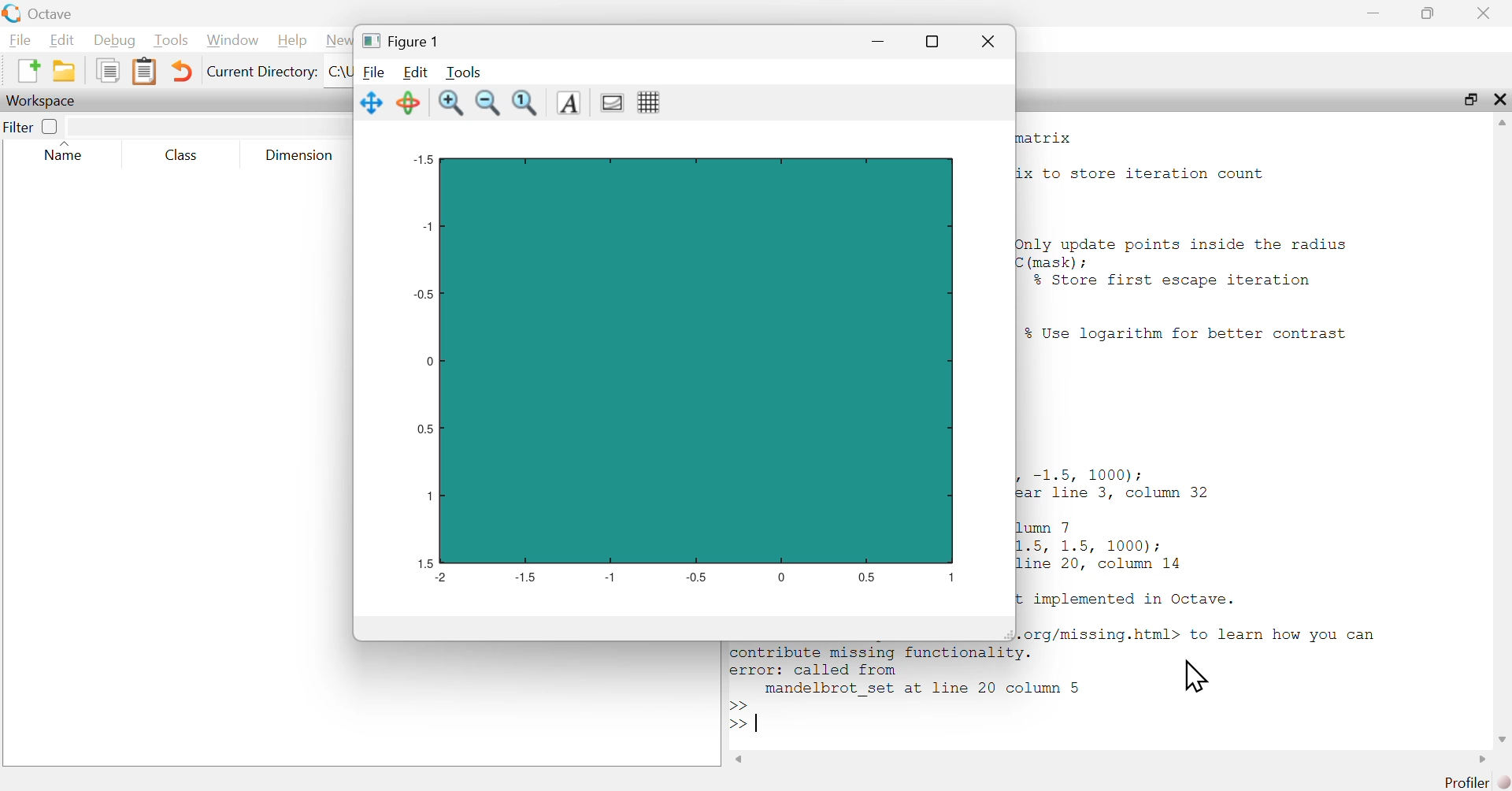  I want to click on Scrollbar left, so click(740, 758).